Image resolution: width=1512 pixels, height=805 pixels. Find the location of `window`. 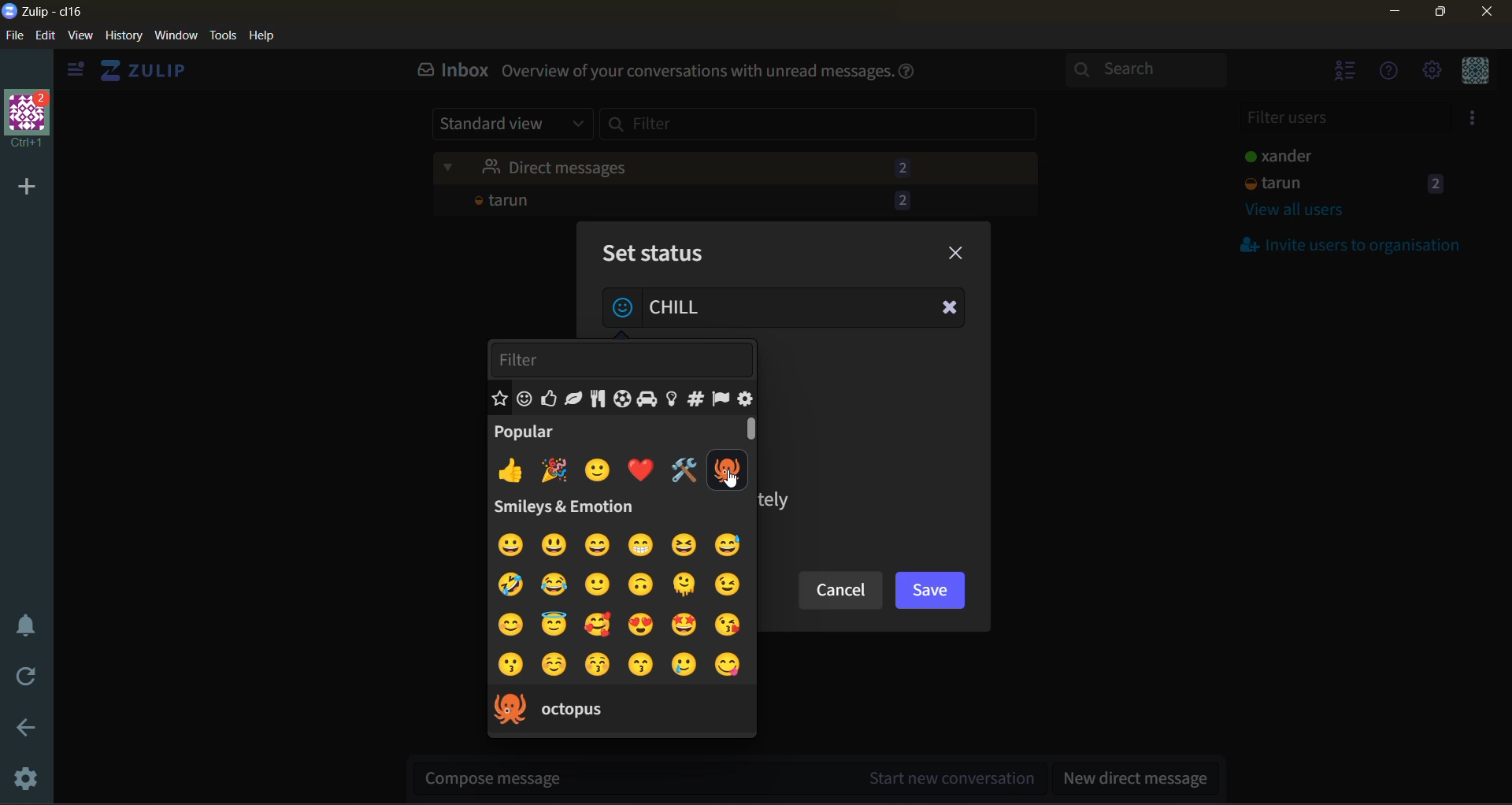

window is located at coordinates (178, 37).